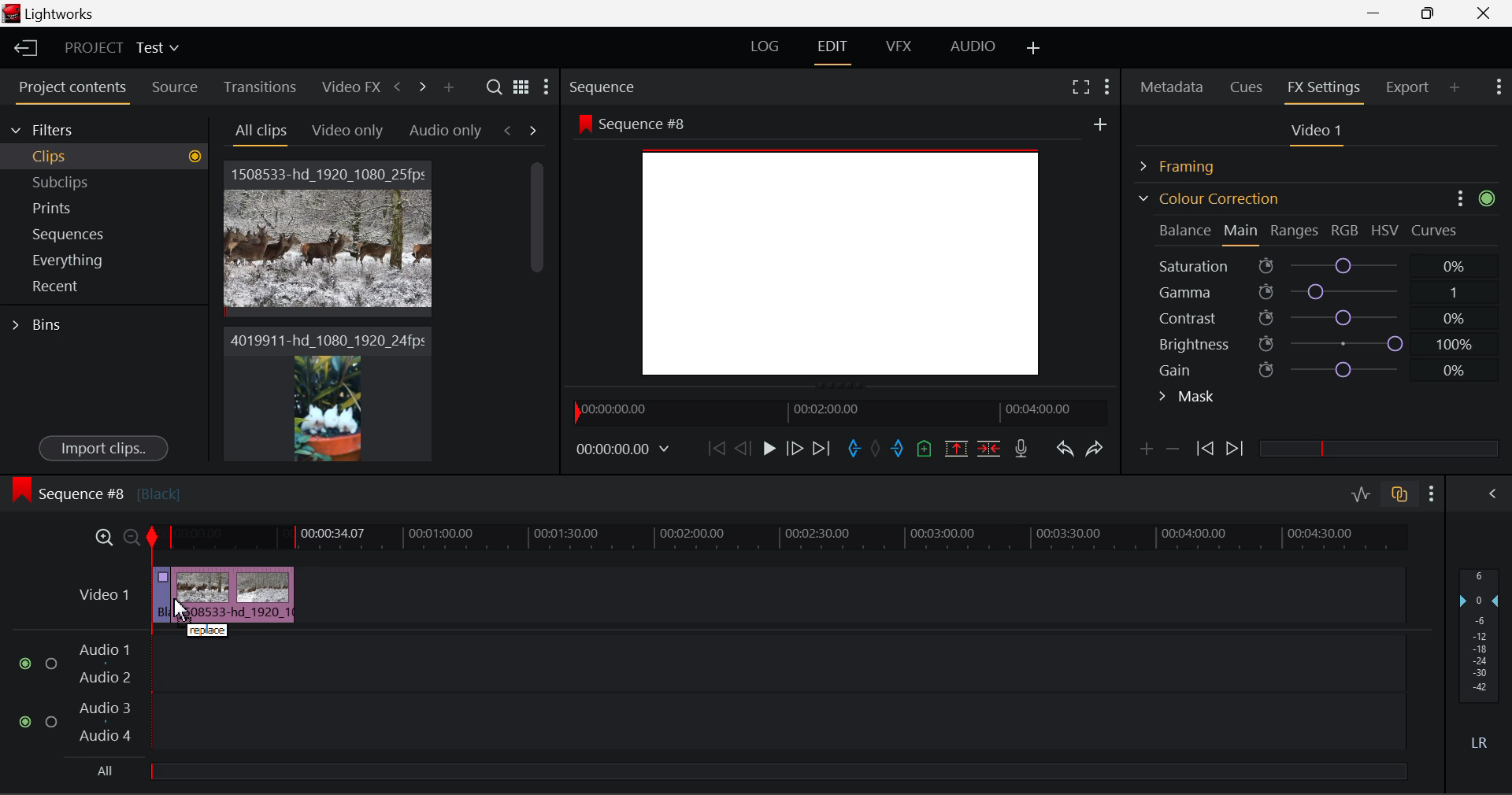 Image resolution: width=1512 pixels, height=795 pixels. Describe the element at coordinates (1497, 85) in the screenshot. I see `Show Settings` at that location.